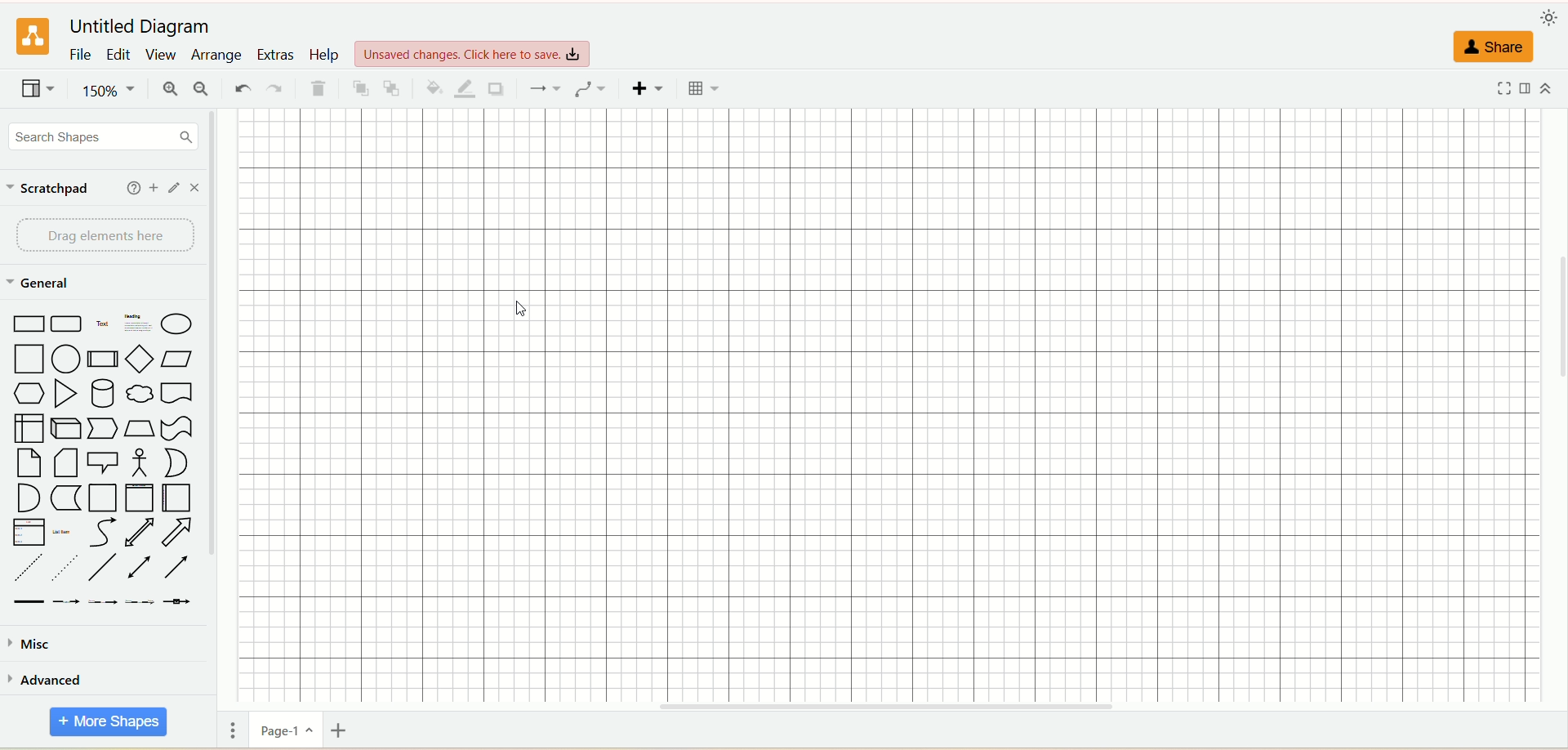  Describe the element at coordinates (25, 567) in the screenshot. I see `dashed line` at that location.